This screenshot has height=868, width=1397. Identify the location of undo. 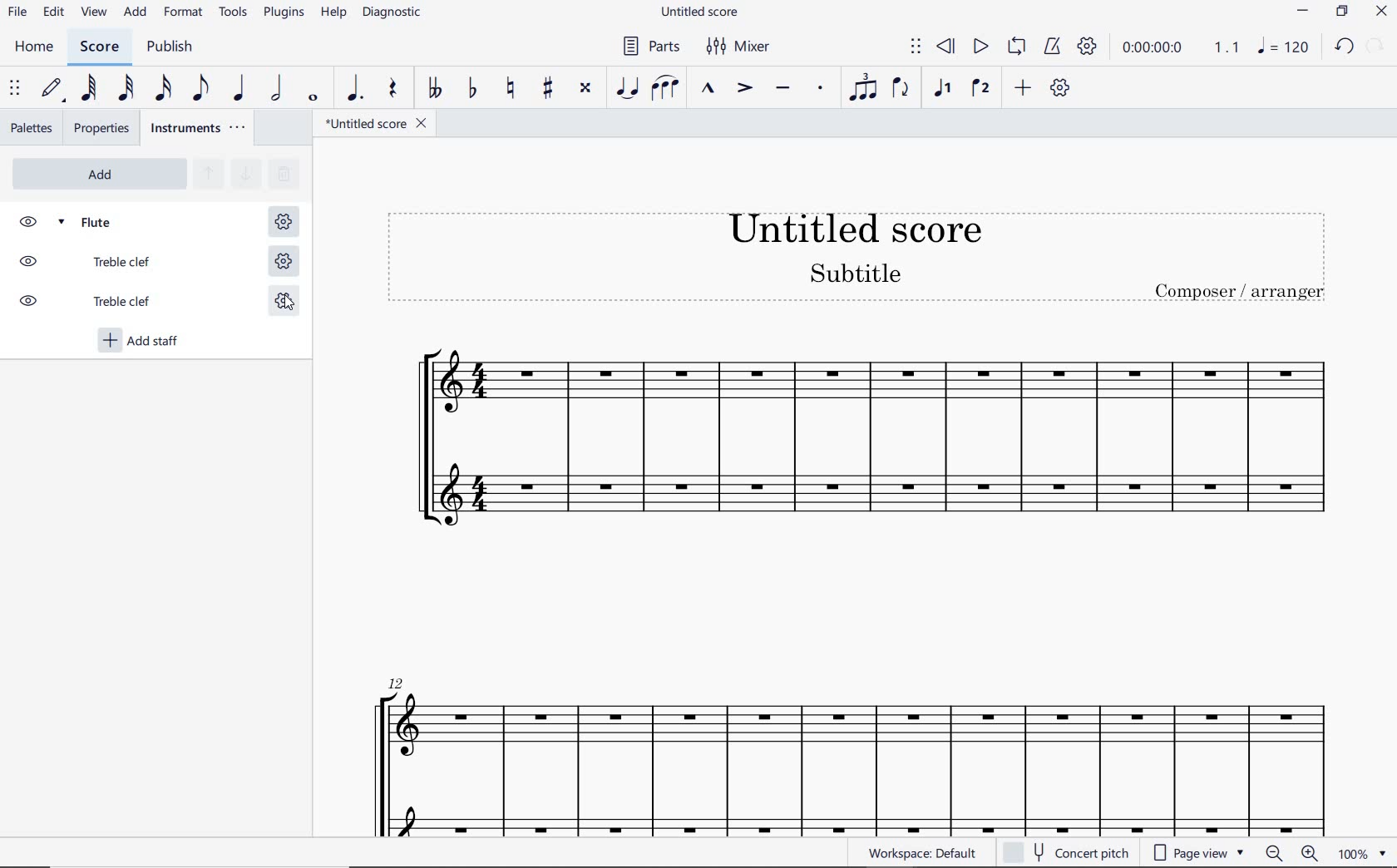
(1345, 47).